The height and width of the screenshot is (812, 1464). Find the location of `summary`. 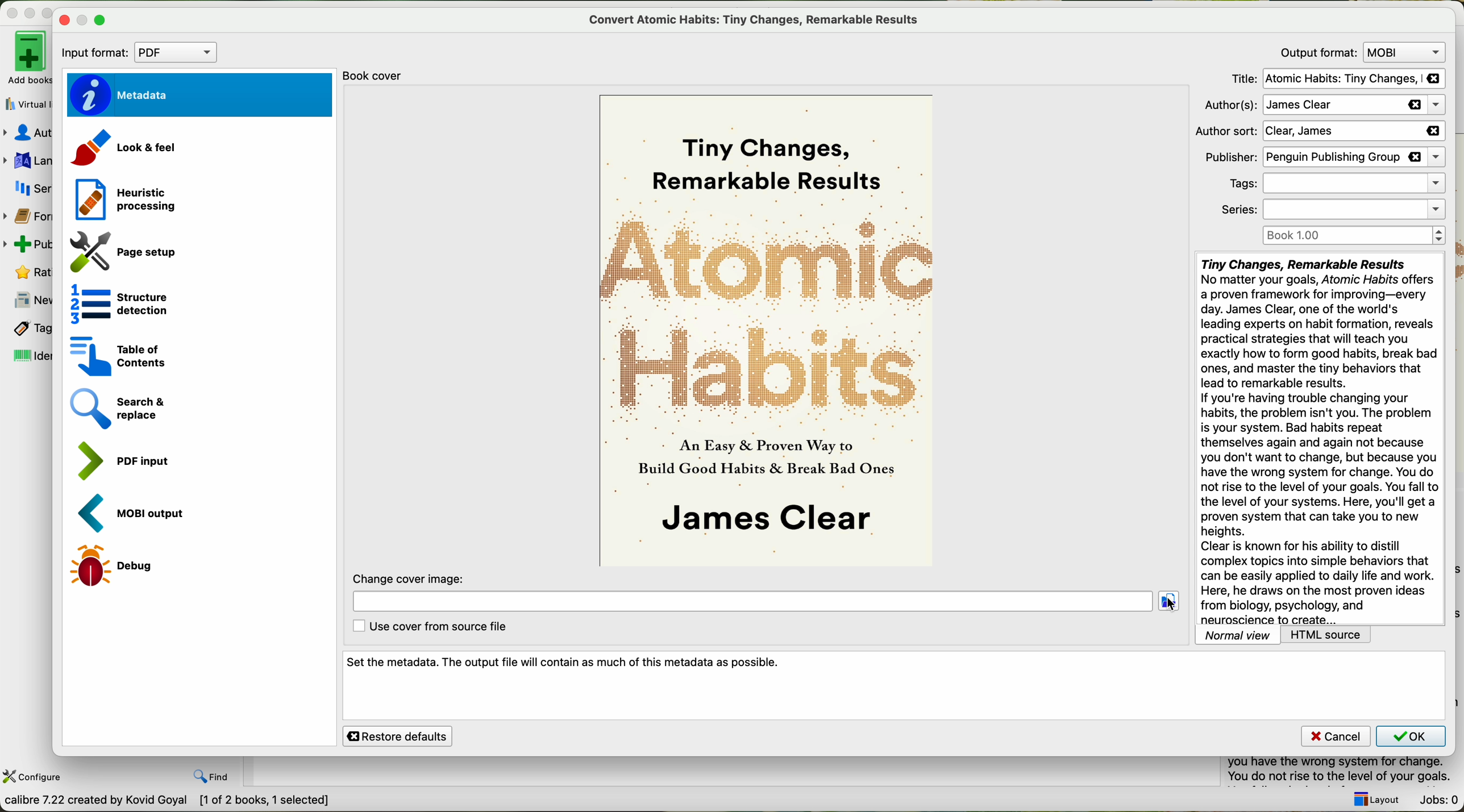

summary is located at coordinates (1345, 771).